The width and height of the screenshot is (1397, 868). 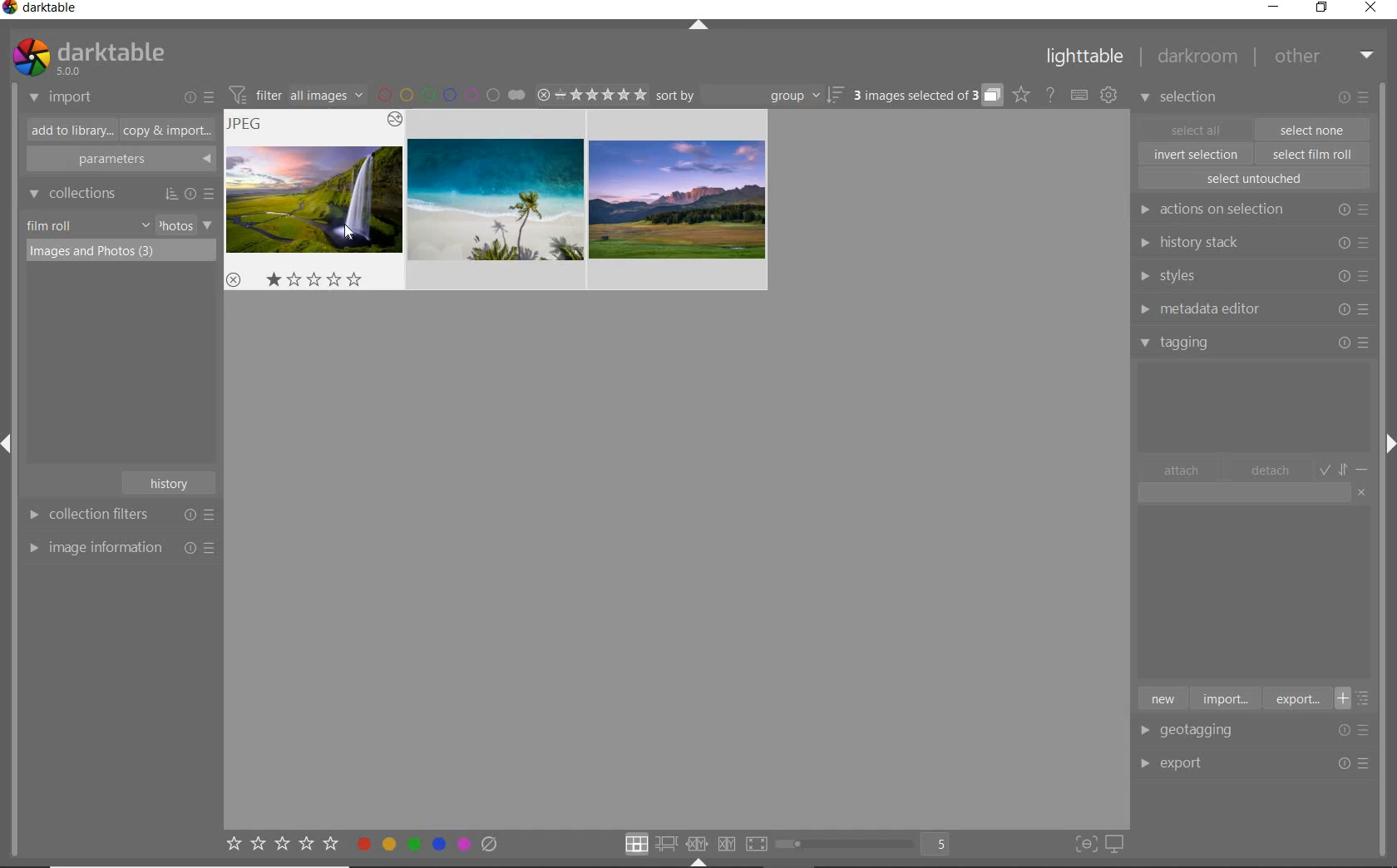 What do you see at coordinates (868, 846) in the screenshot?
I see `toggle view` at bounding box center [868, 846].